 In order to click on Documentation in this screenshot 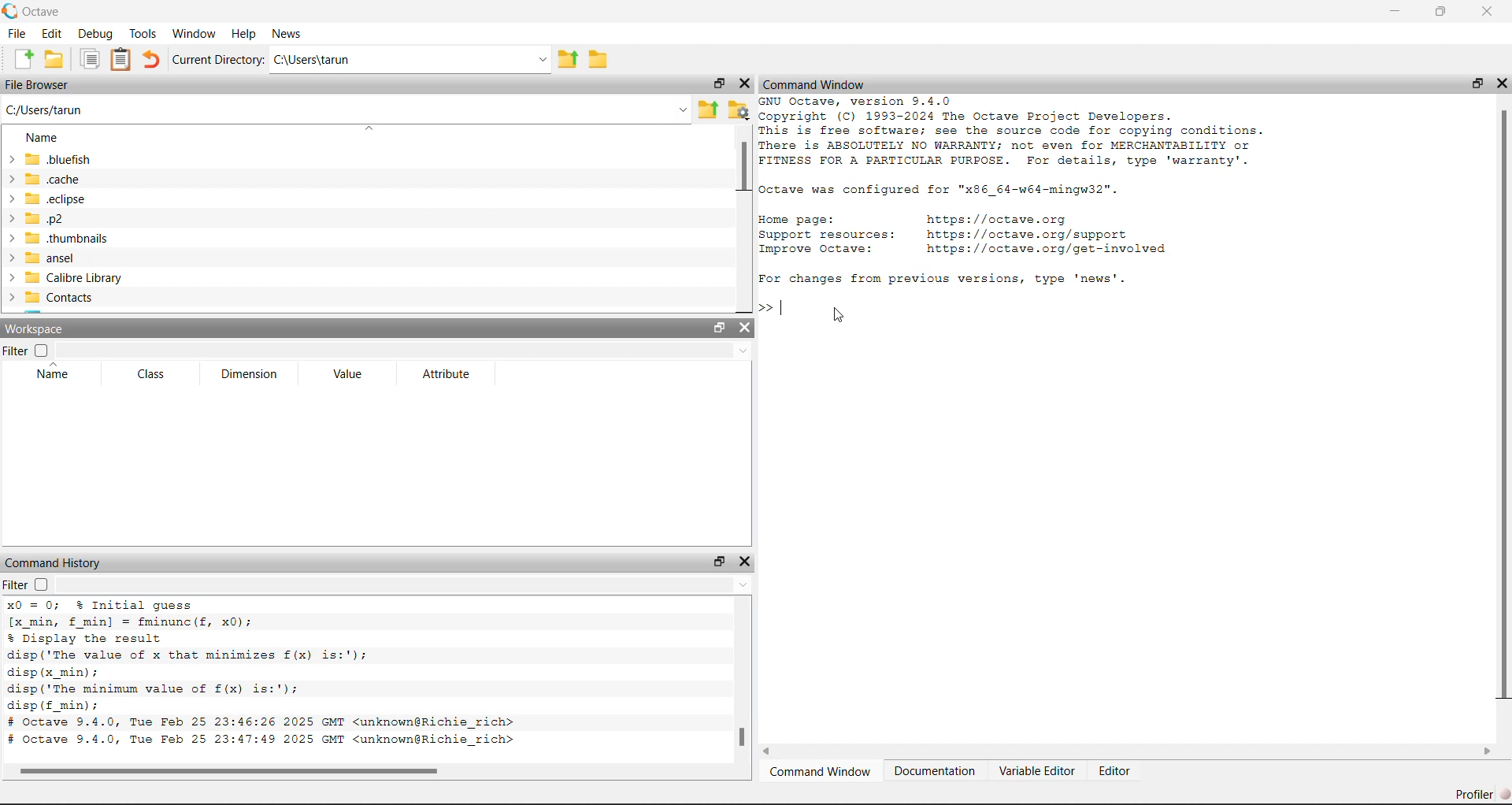, I will do `click(936, 768)`.